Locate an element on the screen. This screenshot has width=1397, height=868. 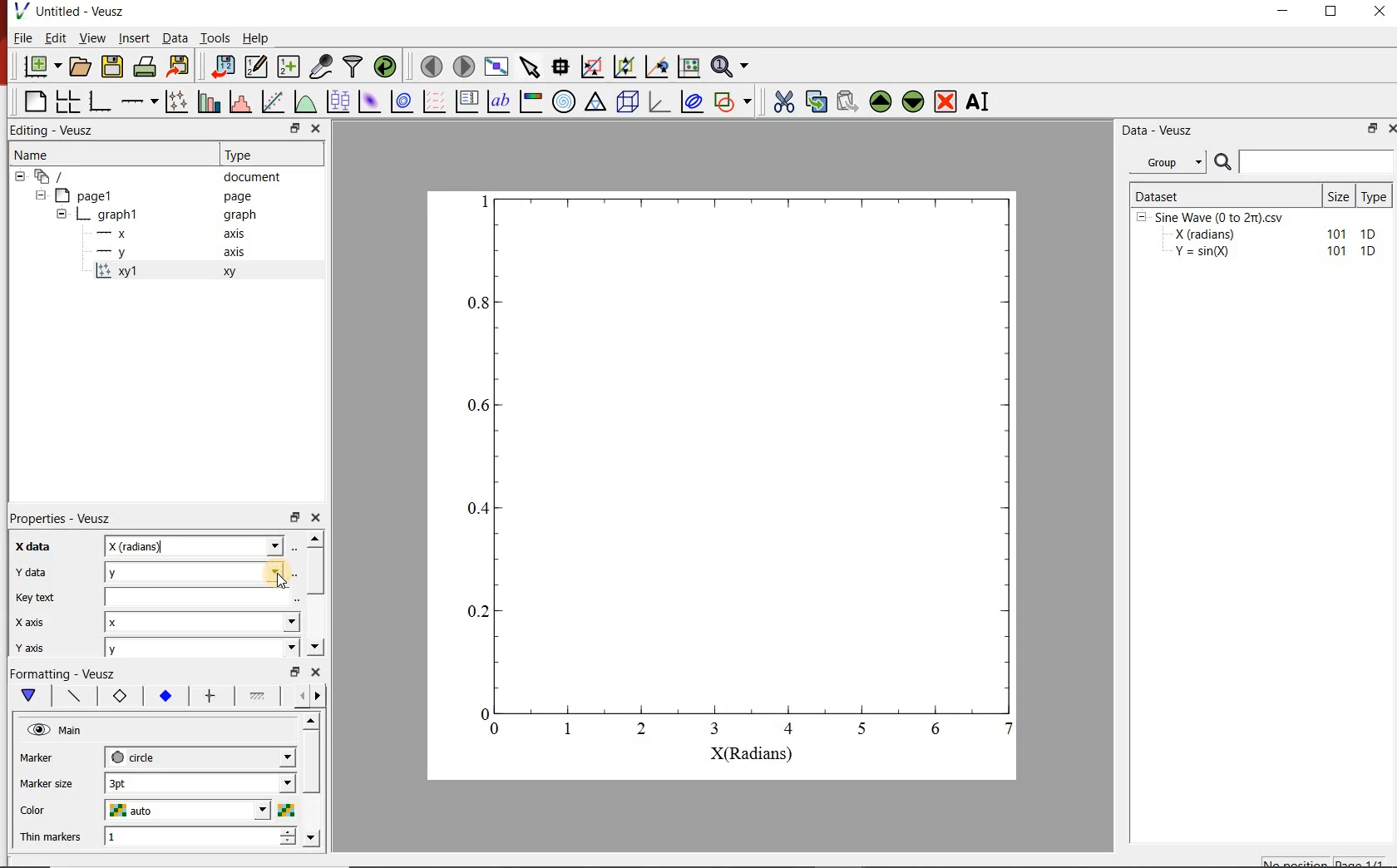
Horizontal scrollbar is located at coordinates (313, 778).